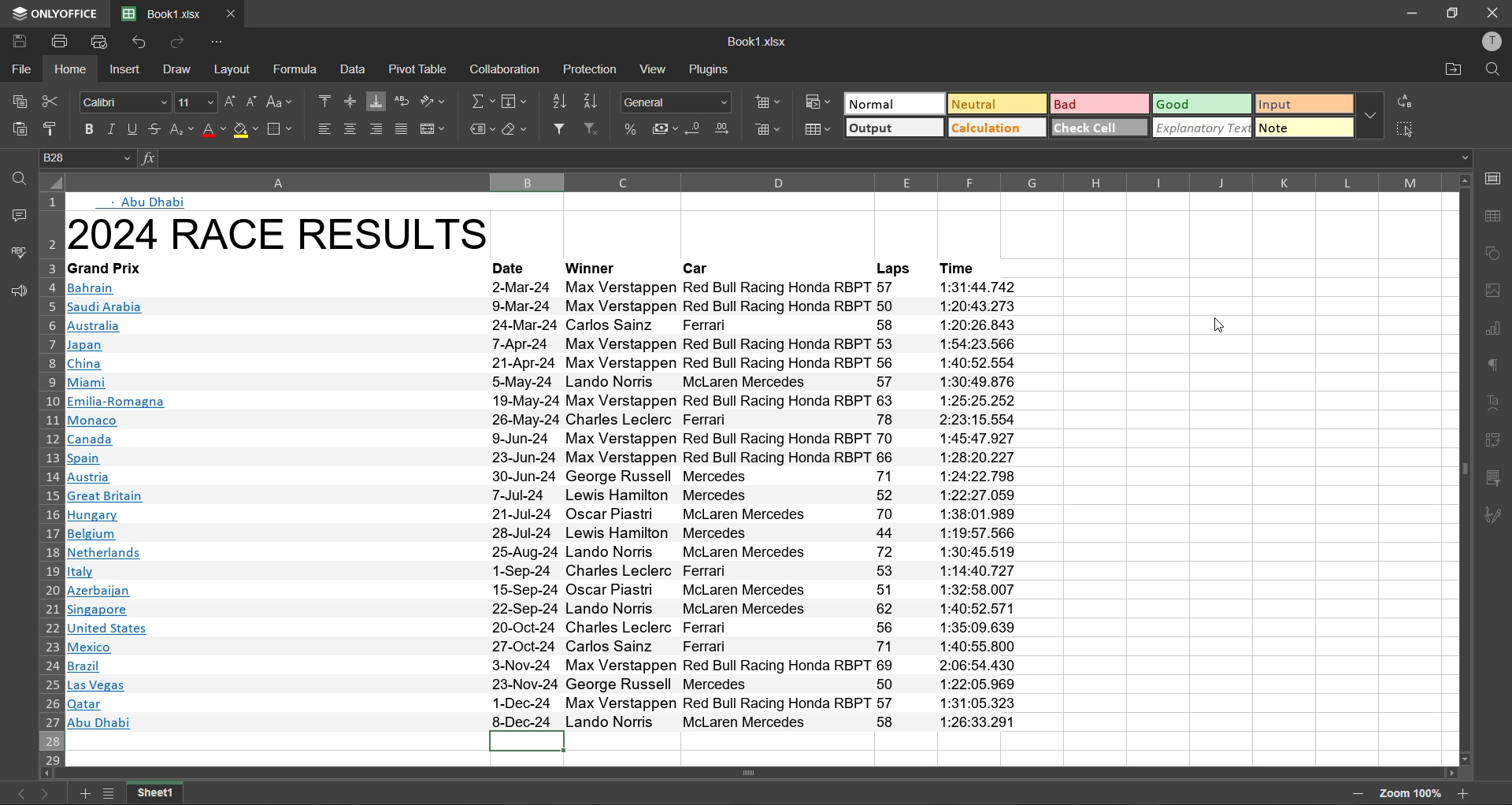 This screenshot has width=1512, height=805. What do you see at coordinates (52, 128) in the screenshot?
I see `copy style` at bounding box center [52, 128].